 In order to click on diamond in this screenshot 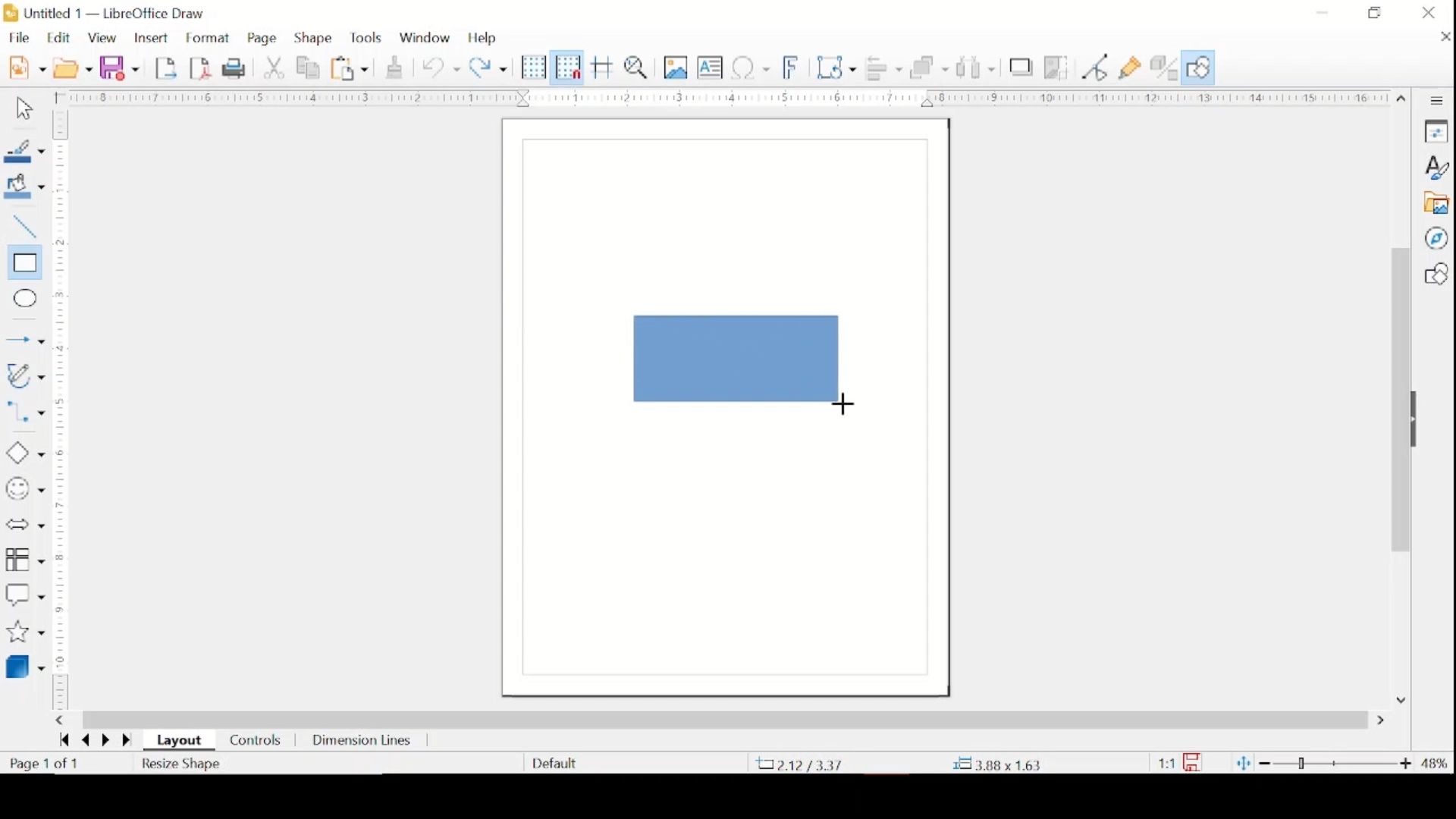, I will do `click(24, 453)`.